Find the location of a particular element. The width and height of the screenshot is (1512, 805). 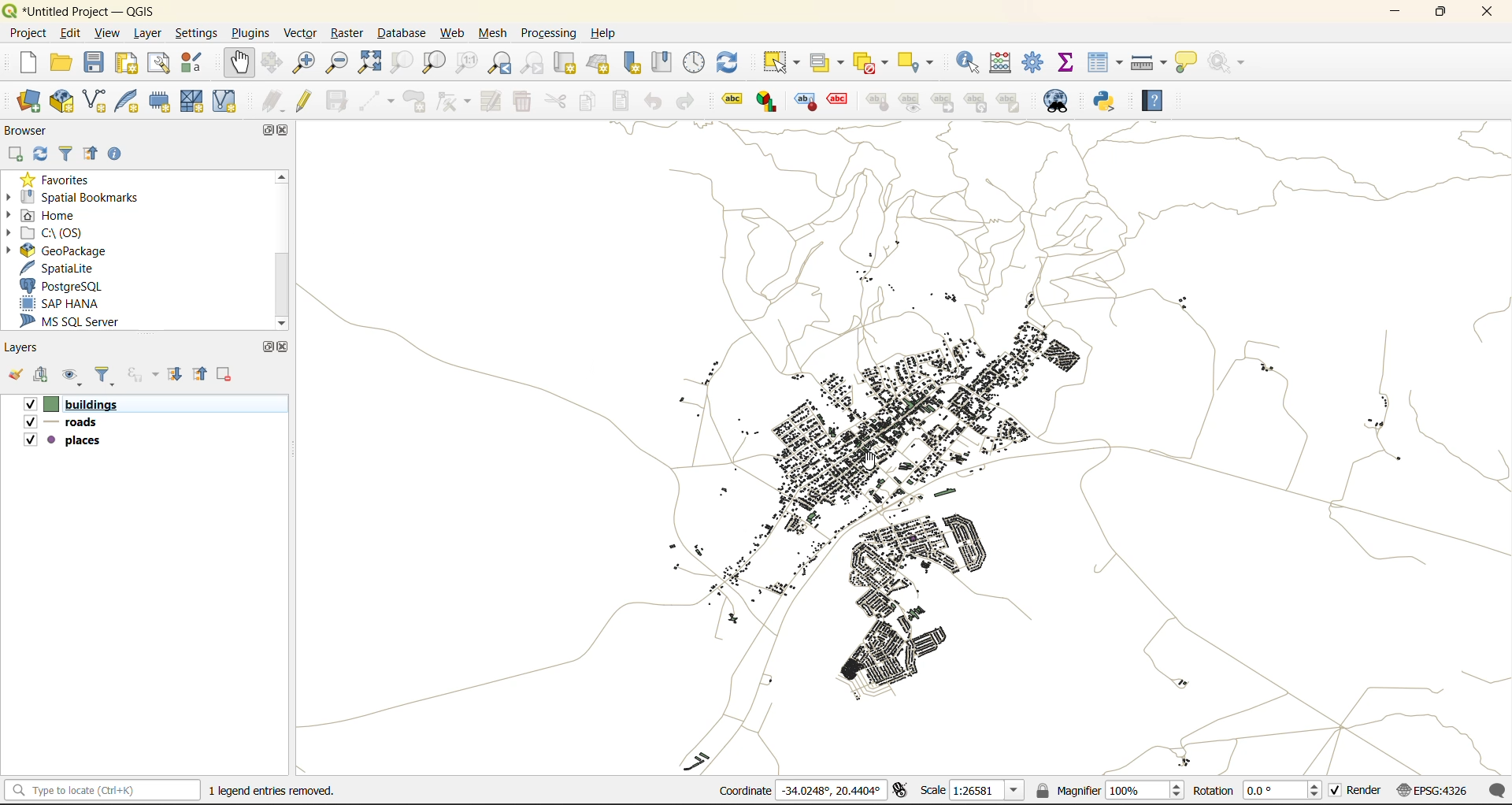

control panel is located at coordinates (693, 65).